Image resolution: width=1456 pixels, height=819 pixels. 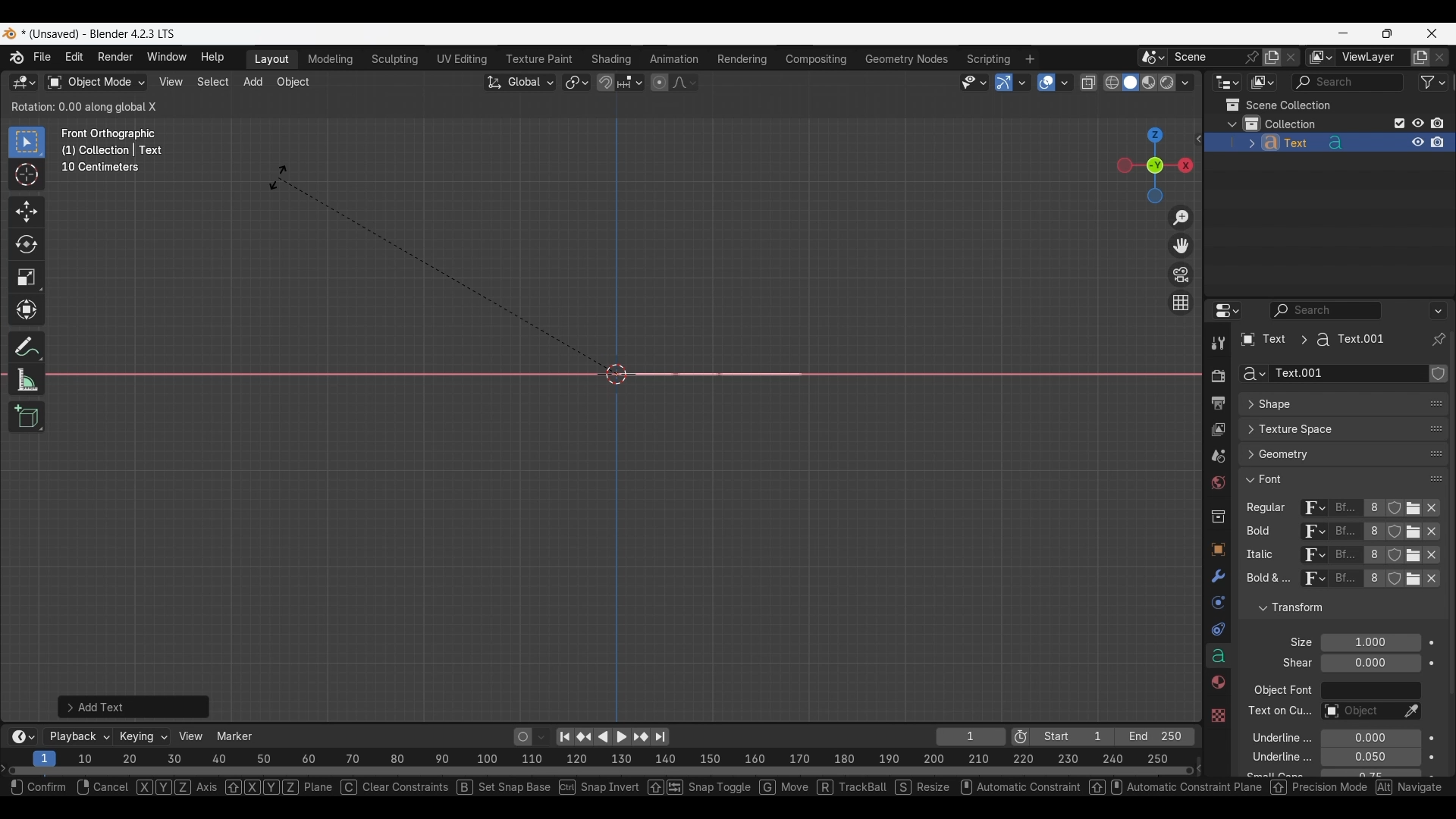 I want to click on Shading, so click(x=1185, y=83).